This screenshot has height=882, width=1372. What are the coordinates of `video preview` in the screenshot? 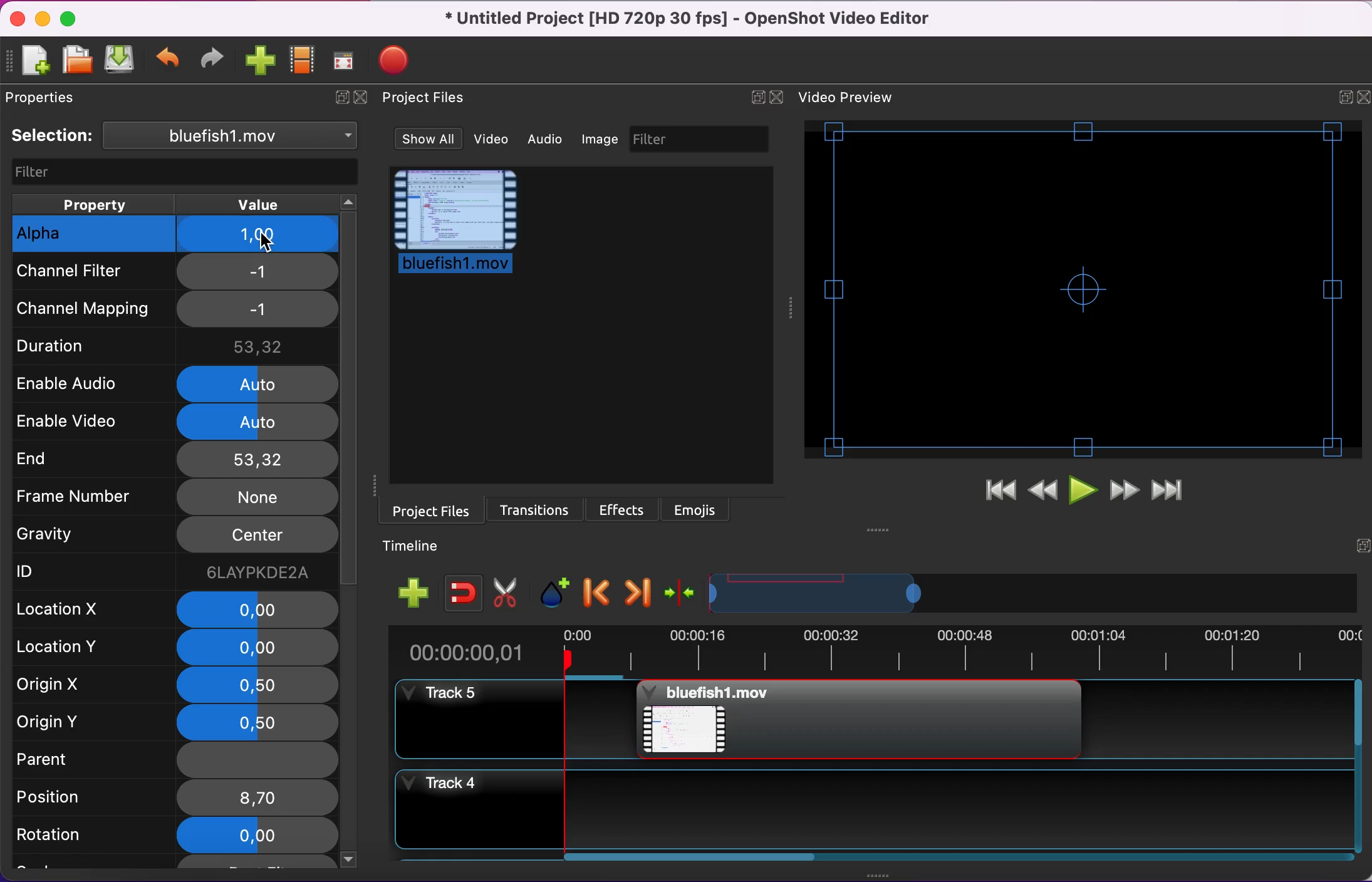 It's located at (1084, 288).